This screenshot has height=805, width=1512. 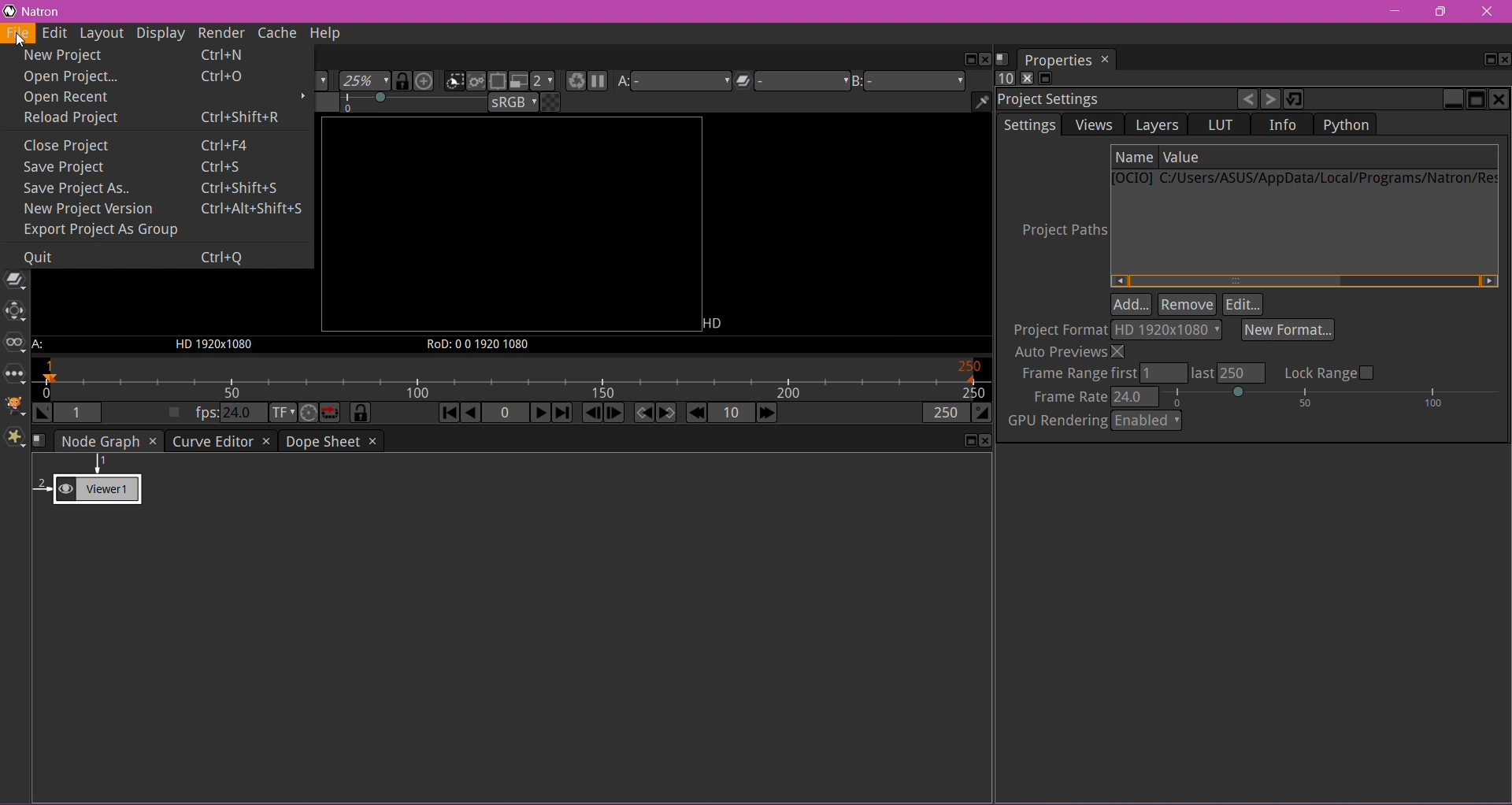 I want to click on Export Project as Group, so click(x=118, y=229).